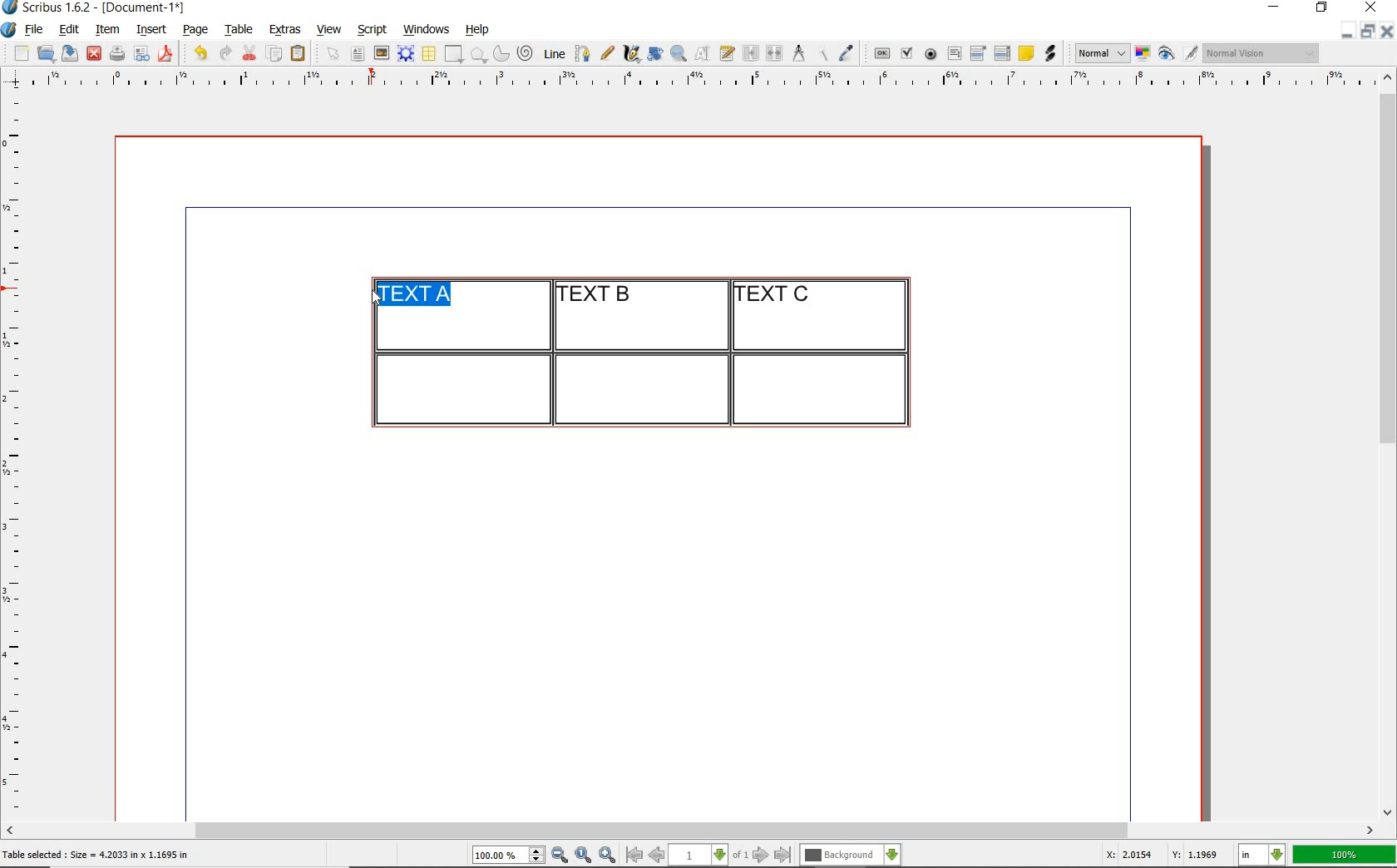  I want to click on text annotation, so click(1025, 54).